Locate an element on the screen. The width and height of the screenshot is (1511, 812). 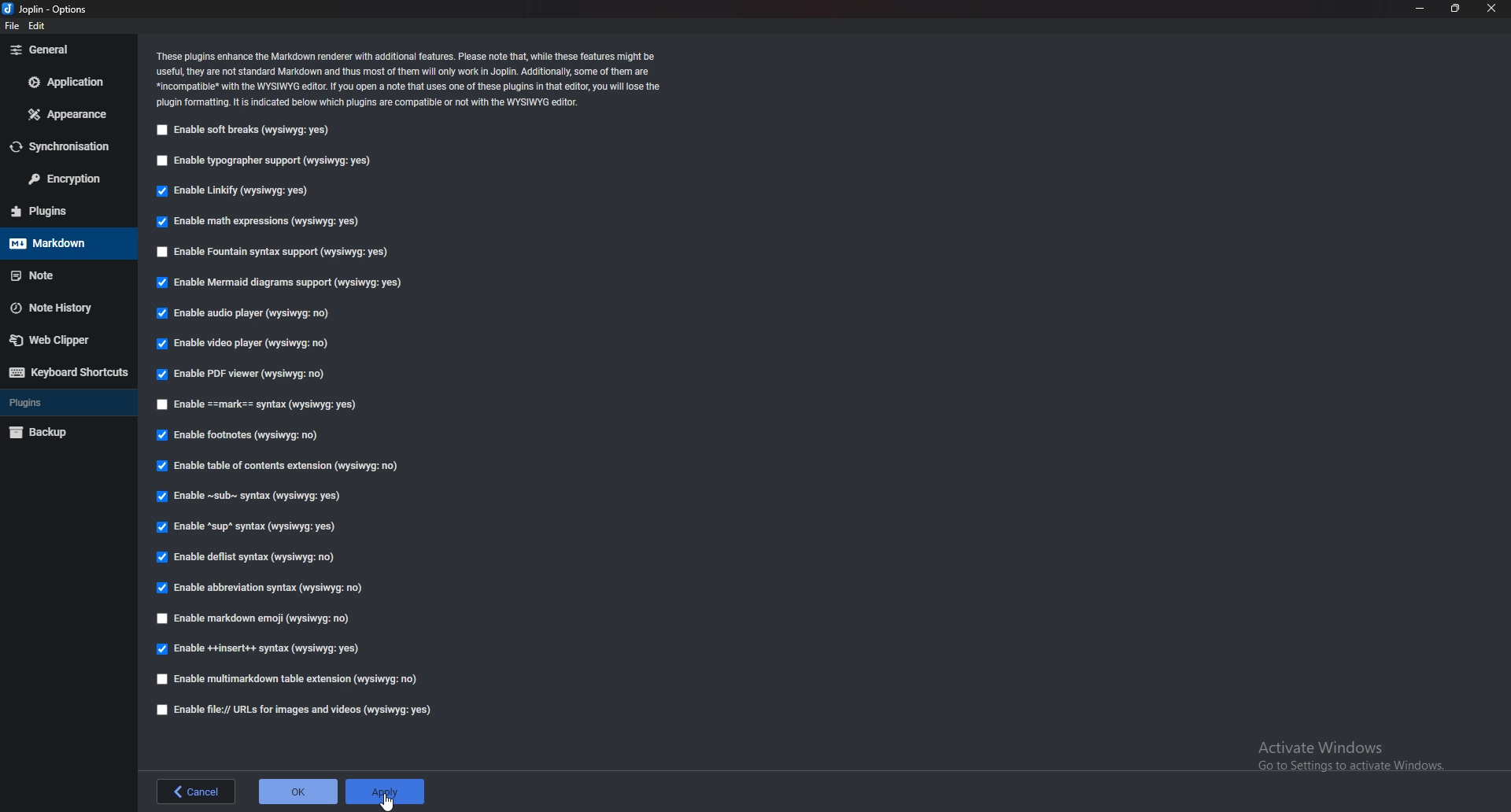
note is located at coordinates (64, 275).